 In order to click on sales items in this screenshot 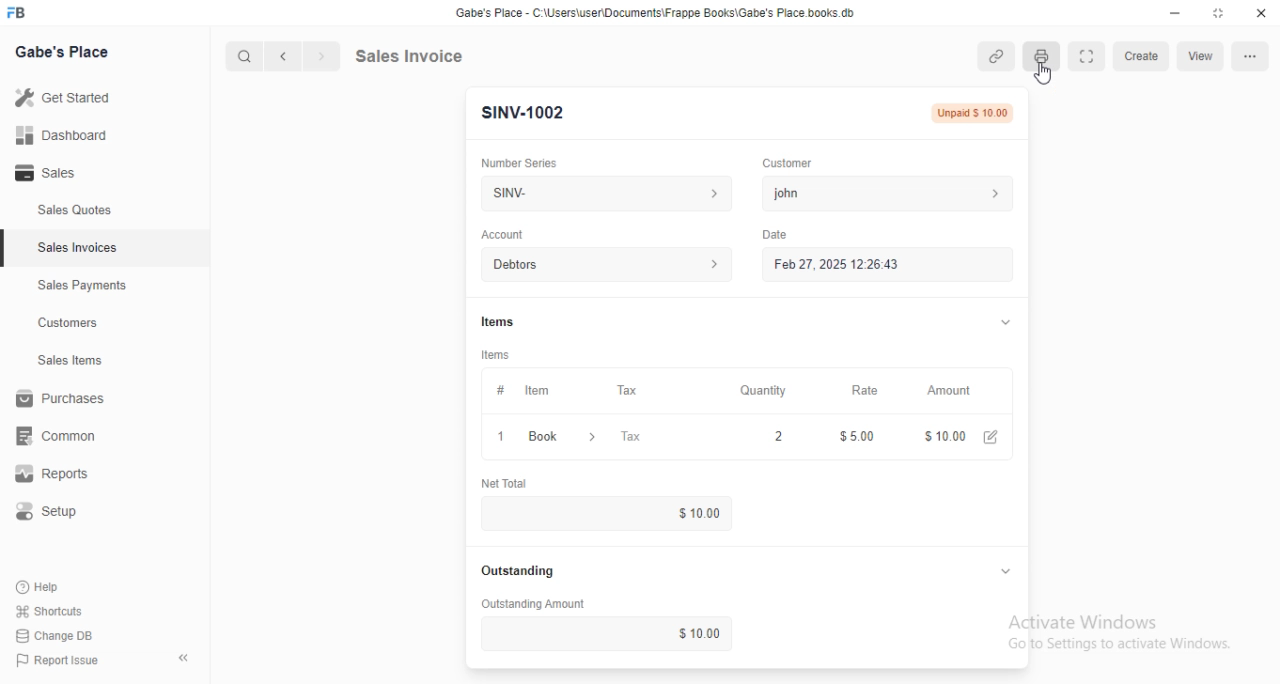, I will do `click(69, 360)`.